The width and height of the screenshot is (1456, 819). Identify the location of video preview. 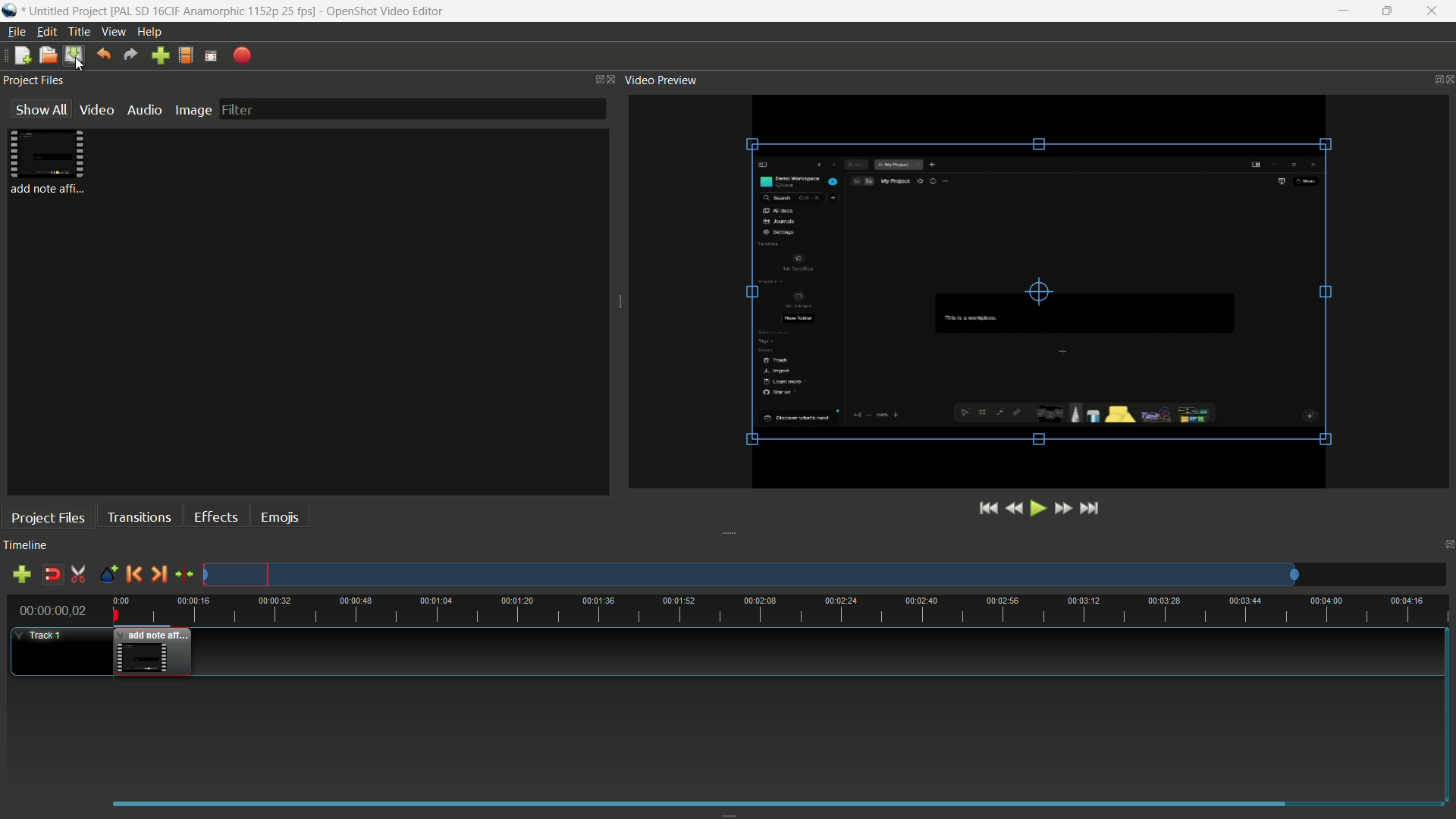
(665, 80).